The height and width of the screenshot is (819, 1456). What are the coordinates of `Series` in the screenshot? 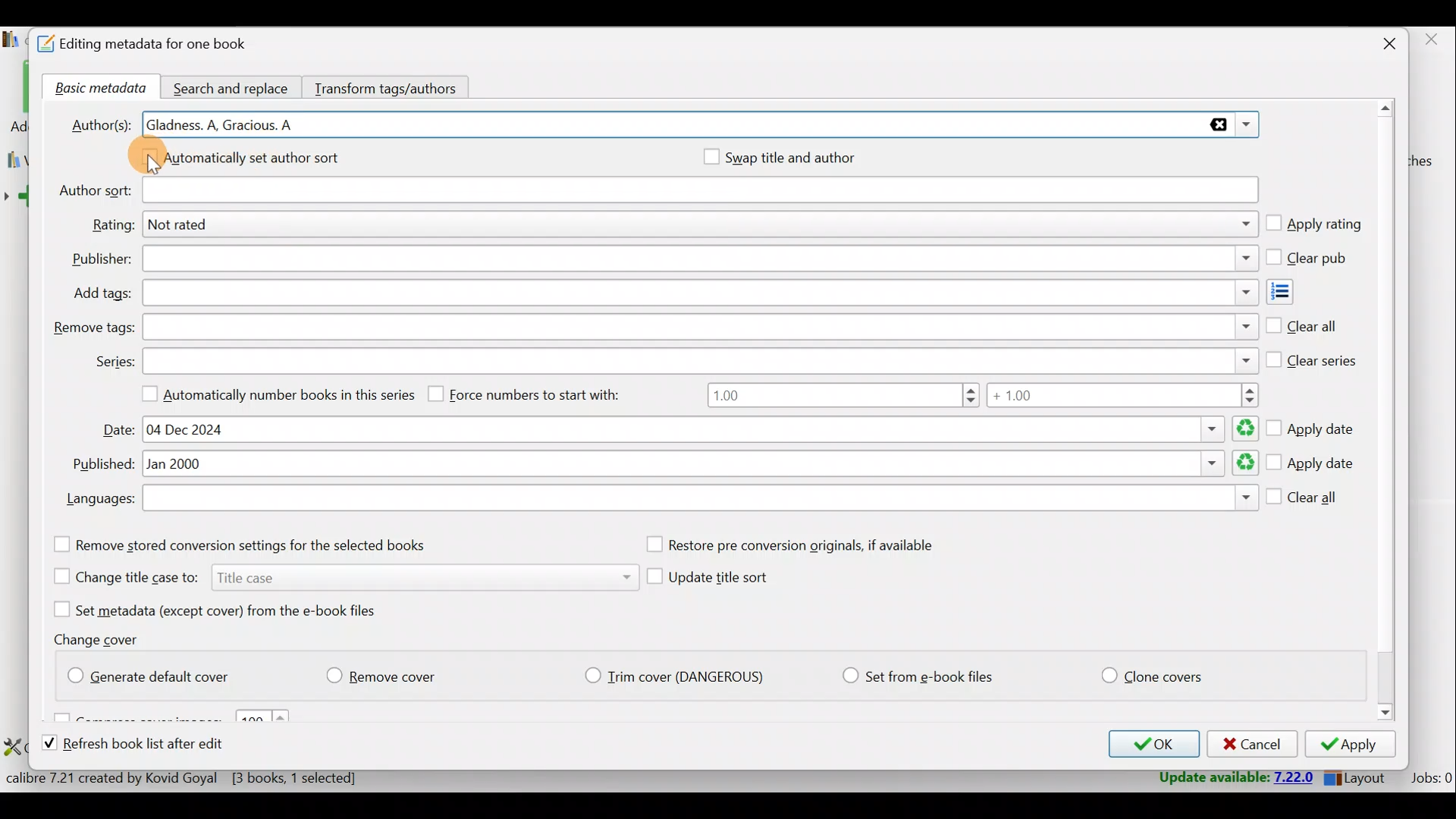 It's located at (701, 359).